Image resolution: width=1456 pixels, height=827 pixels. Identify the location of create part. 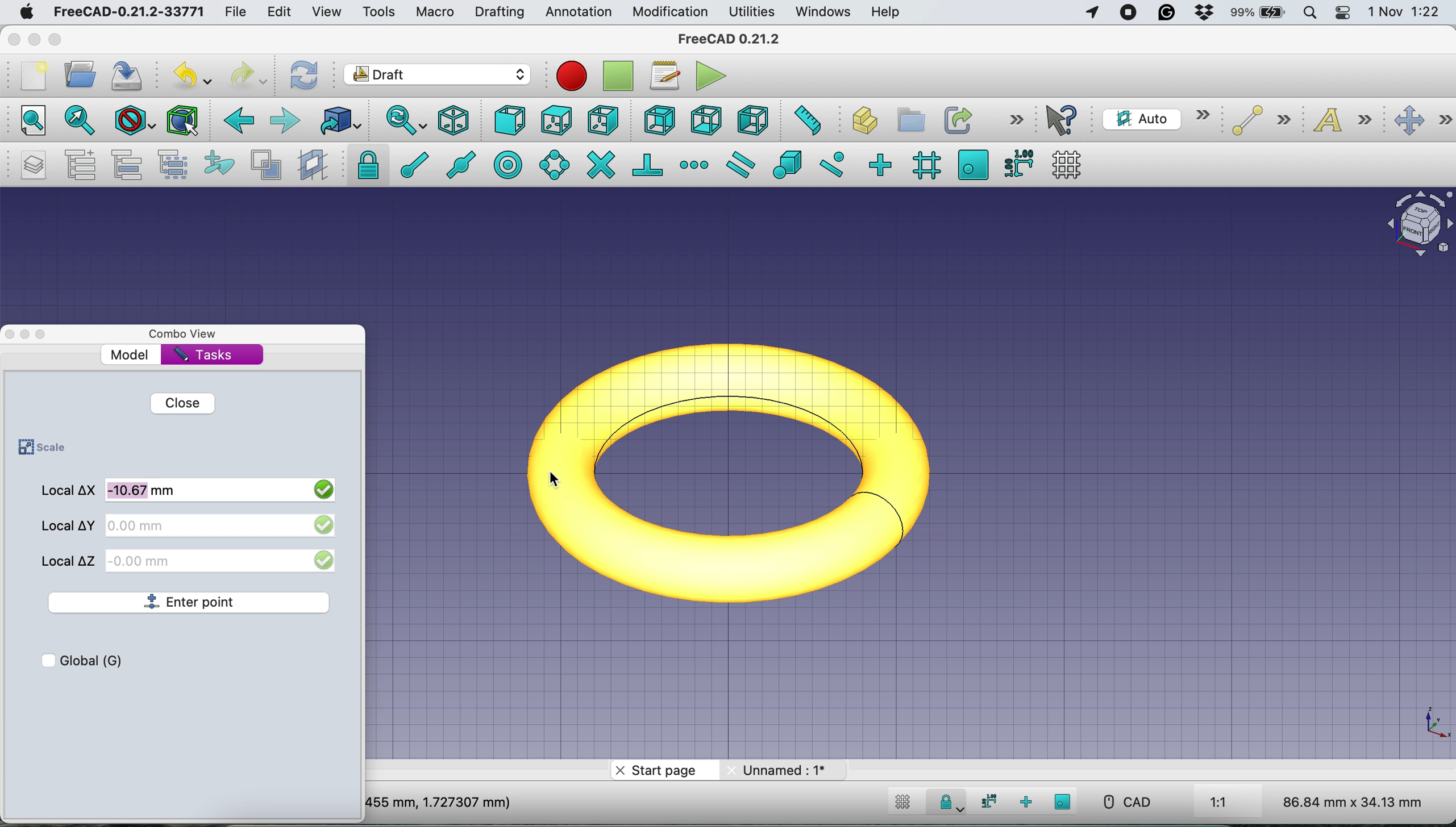
(859, 122).